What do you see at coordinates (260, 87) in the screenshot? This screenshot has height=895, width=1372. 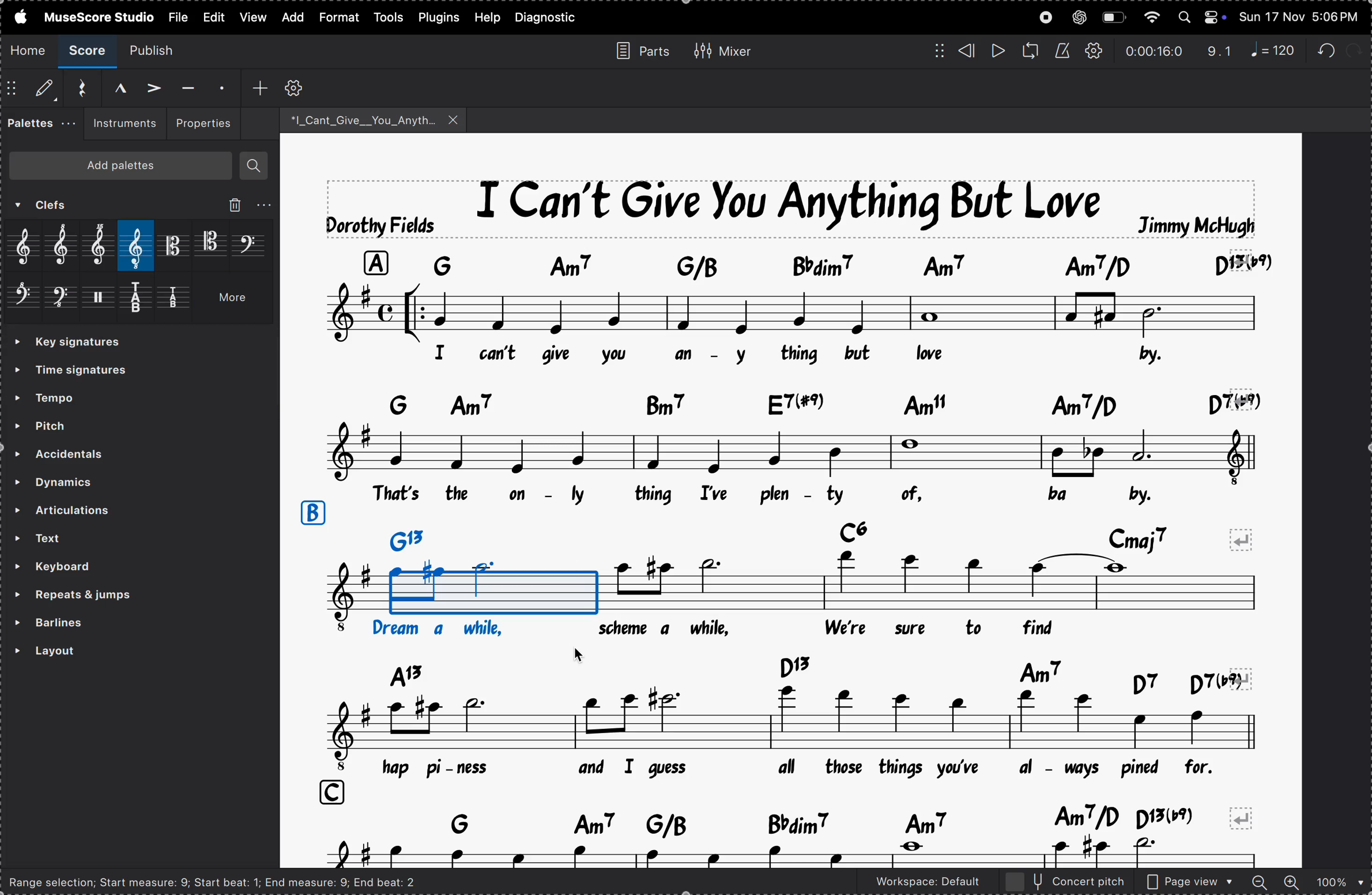 I see `add` at bounding box center [260, 87].